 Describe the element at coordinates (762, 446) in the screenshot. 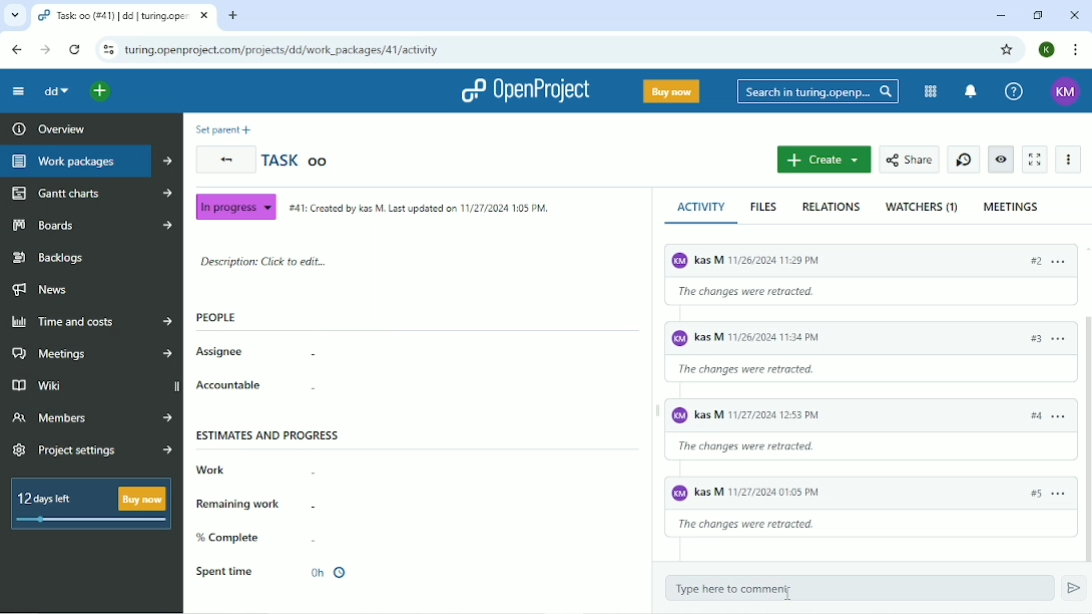

I see `The changes were retracted` at that location.